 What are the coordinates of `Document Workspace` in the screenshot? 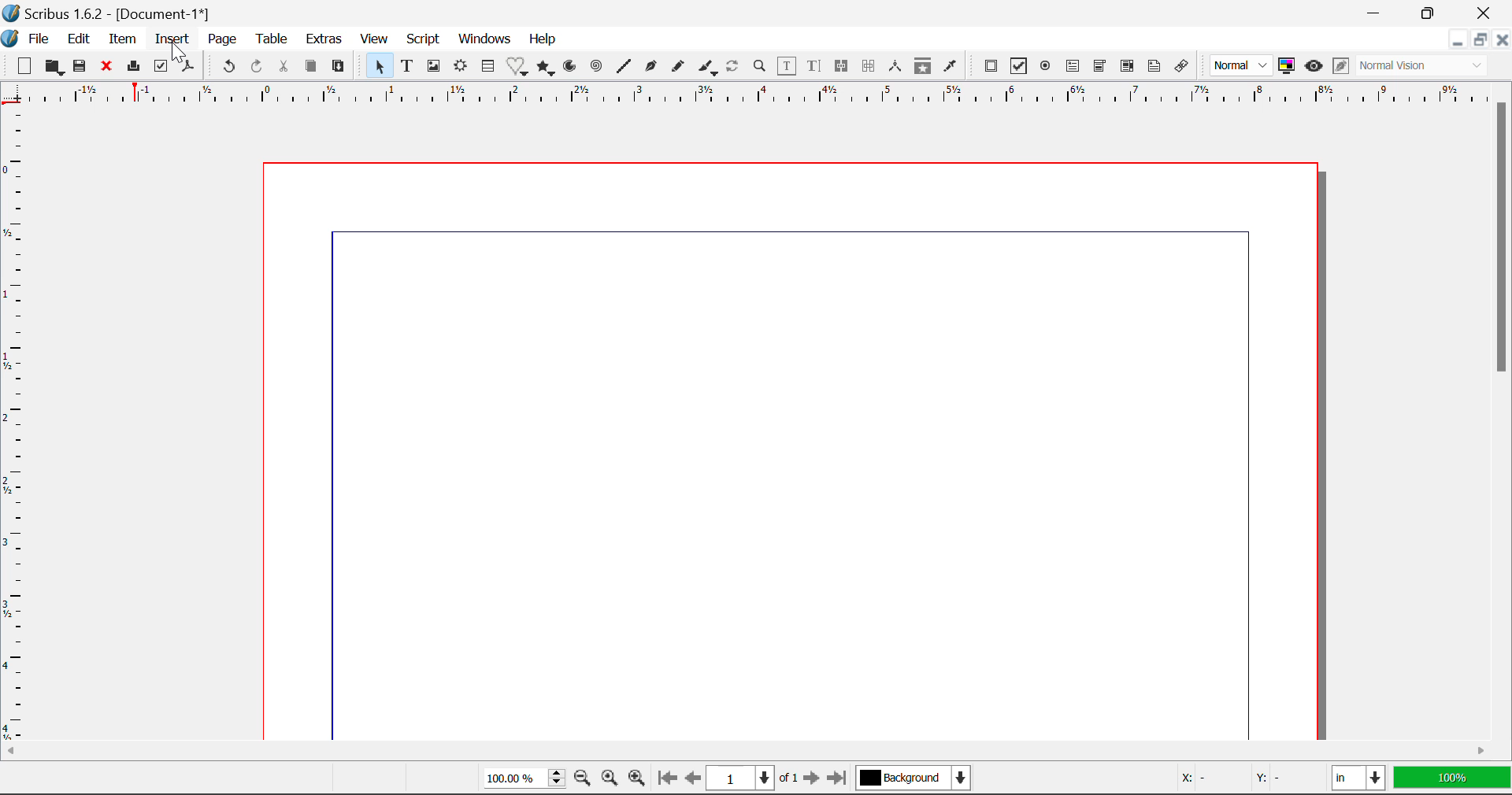 It's located at (784, 446).